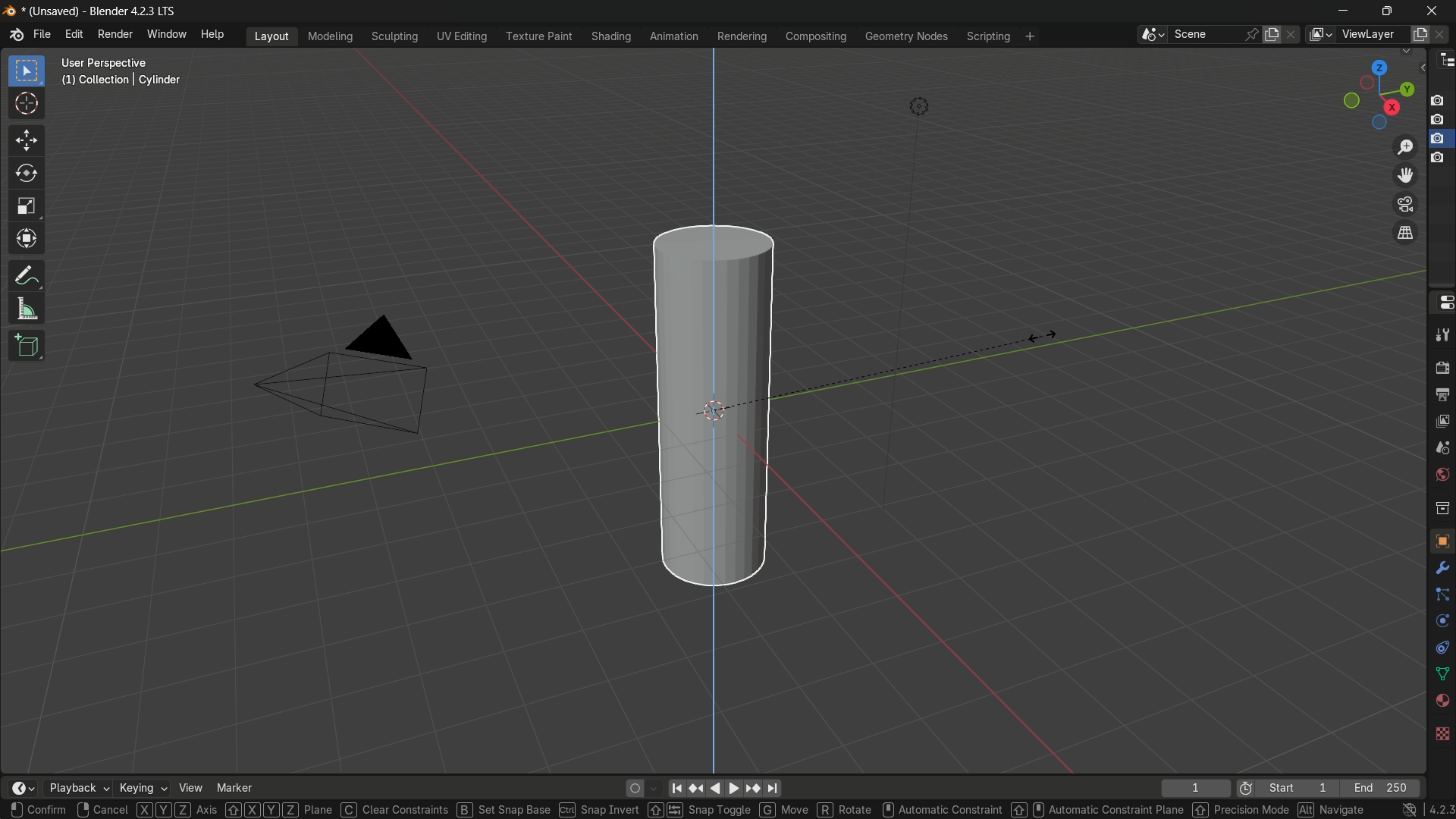  I want to click on hold shift and X,Y,Z to change Plane, so click(280, 810).